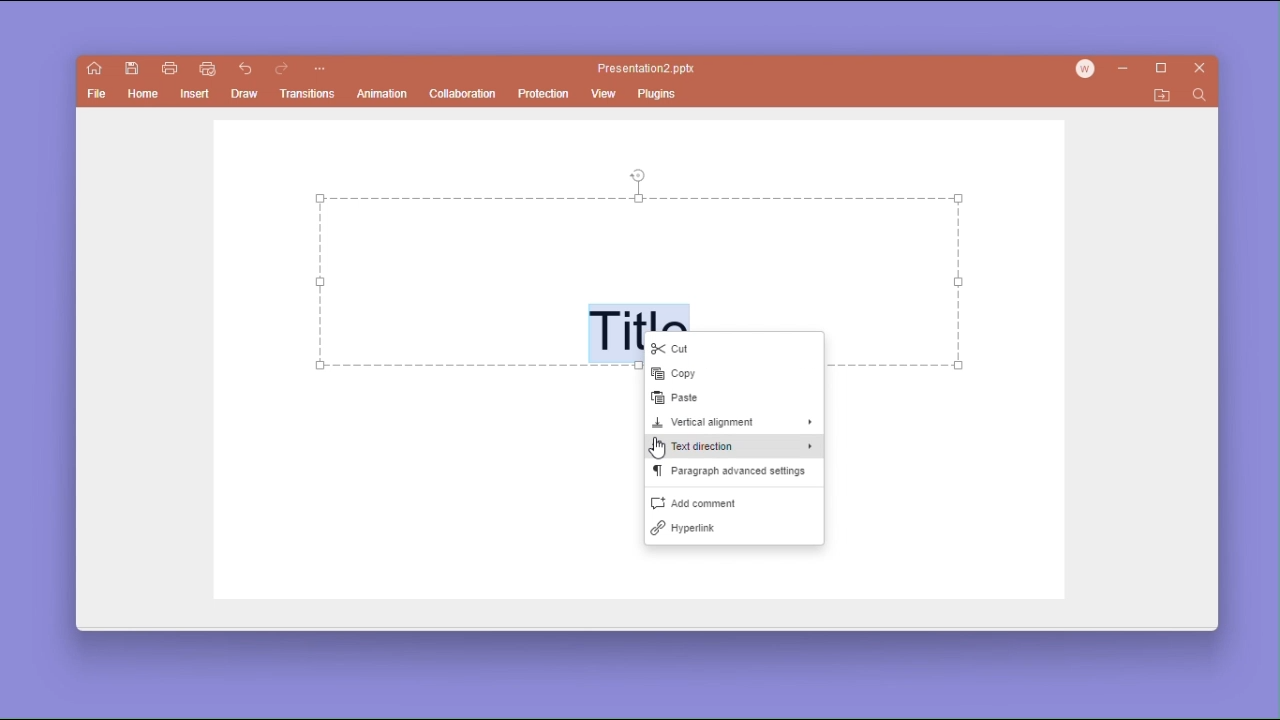 Image resolution: width=1280 pixels, height=720 pixels. What do you see at coordinates (1165, 69) in the screenshot?
I see `maximize` at bounding box center [1165, 69].